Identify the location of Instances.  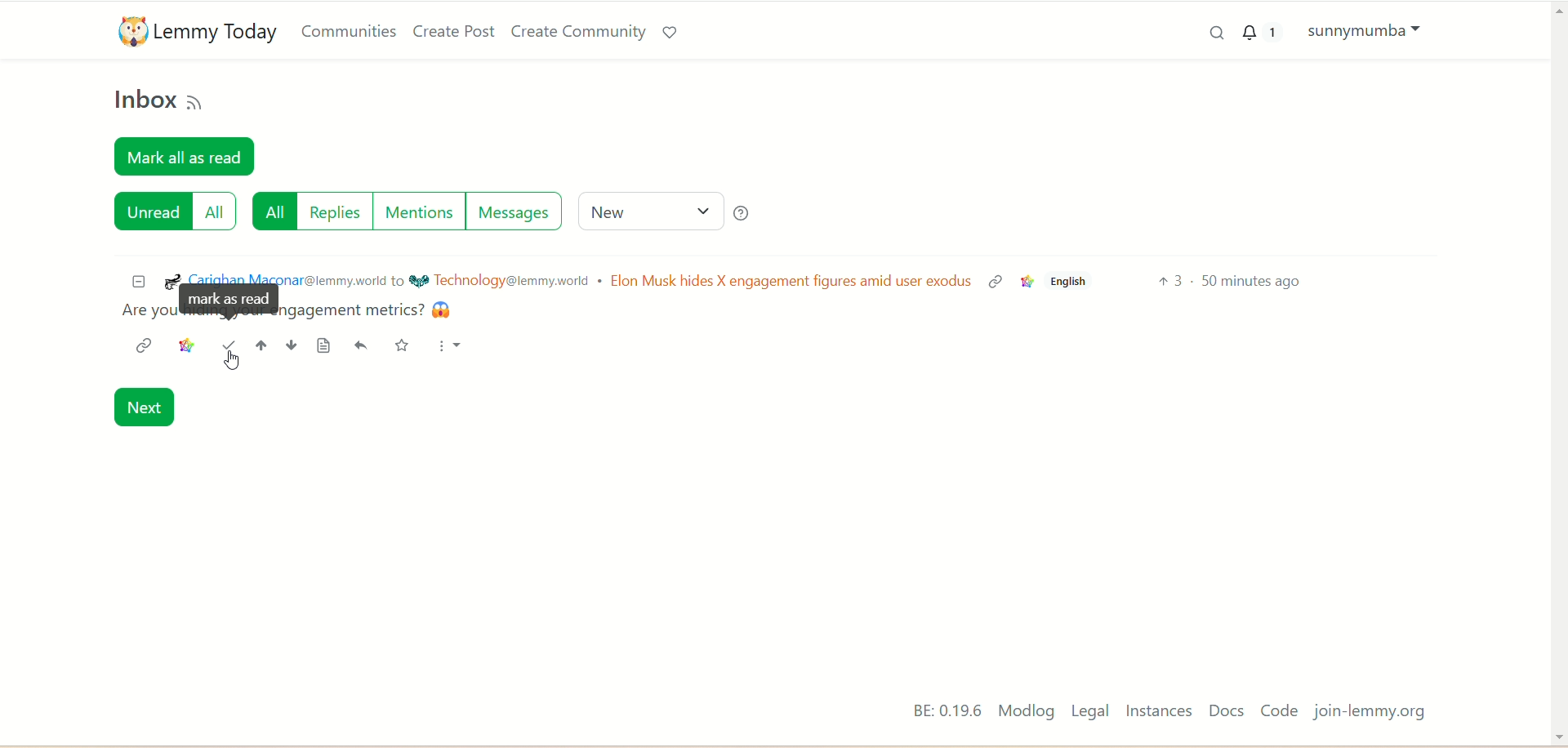
(1159, 711).